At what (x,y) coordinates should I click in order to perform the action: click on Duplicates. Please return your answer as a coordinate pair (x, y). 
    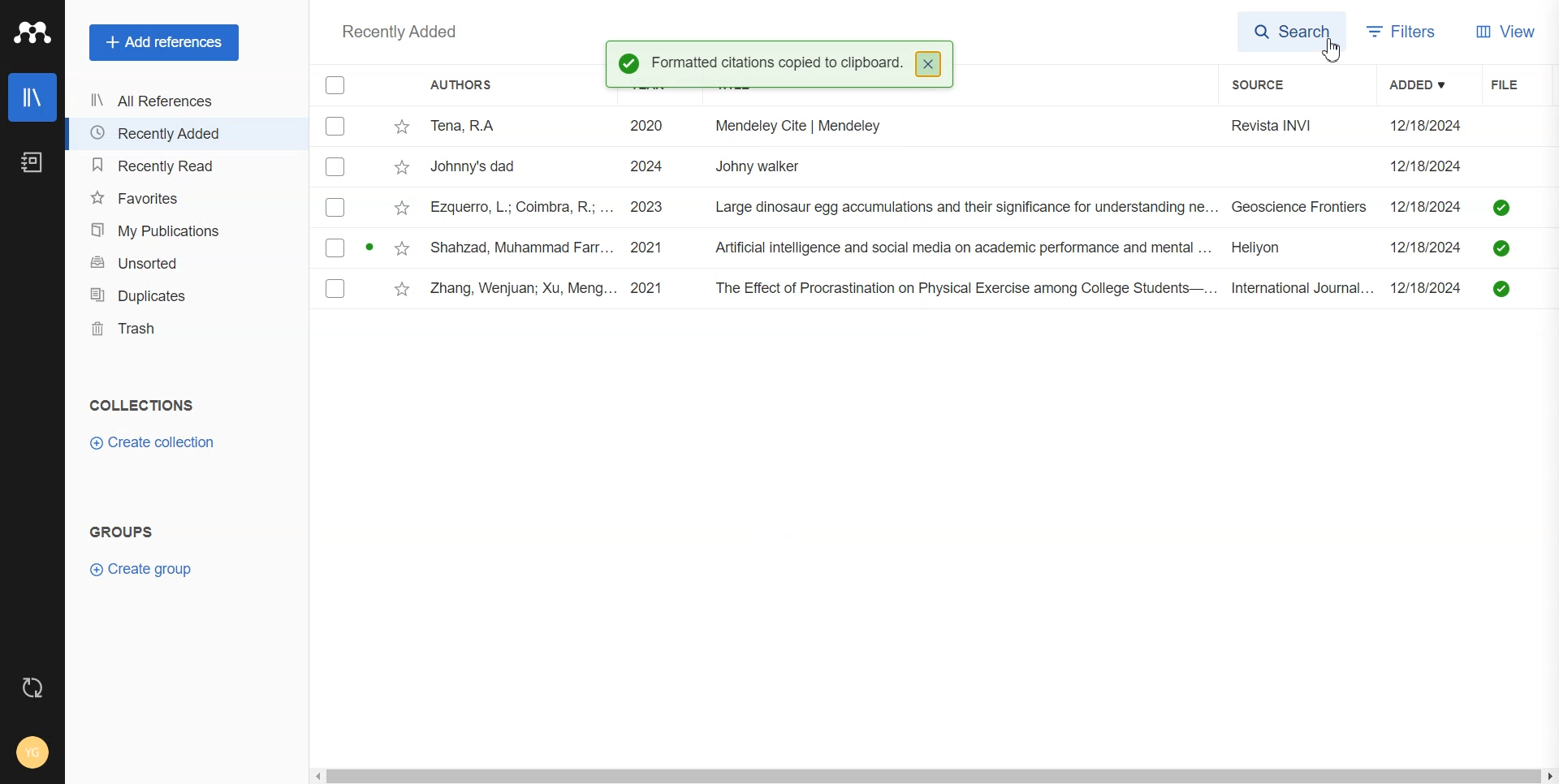
    Looking at the image, I should click on (188, 295).